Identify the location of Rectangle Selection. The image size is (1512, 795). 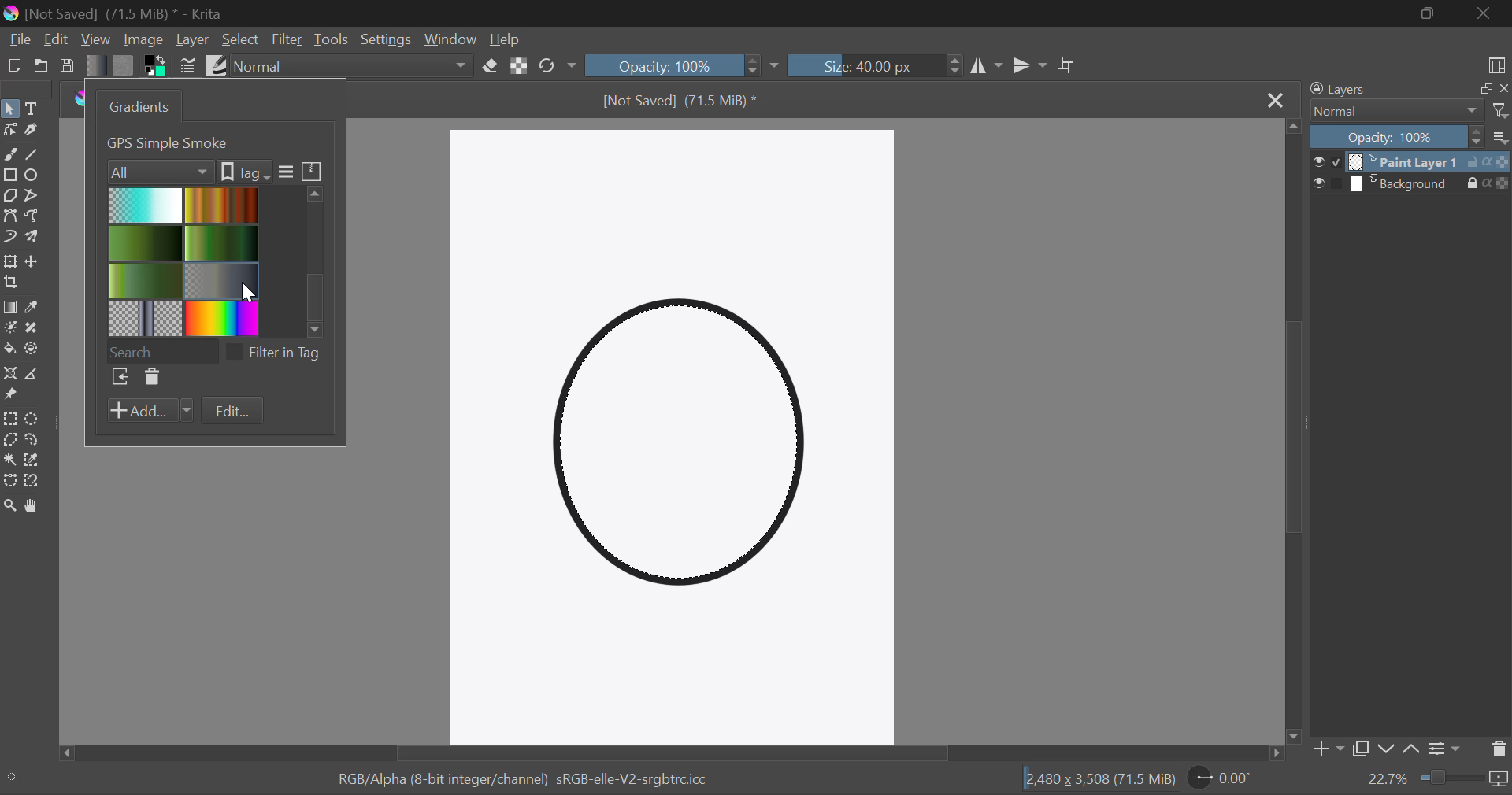
(13, 417).